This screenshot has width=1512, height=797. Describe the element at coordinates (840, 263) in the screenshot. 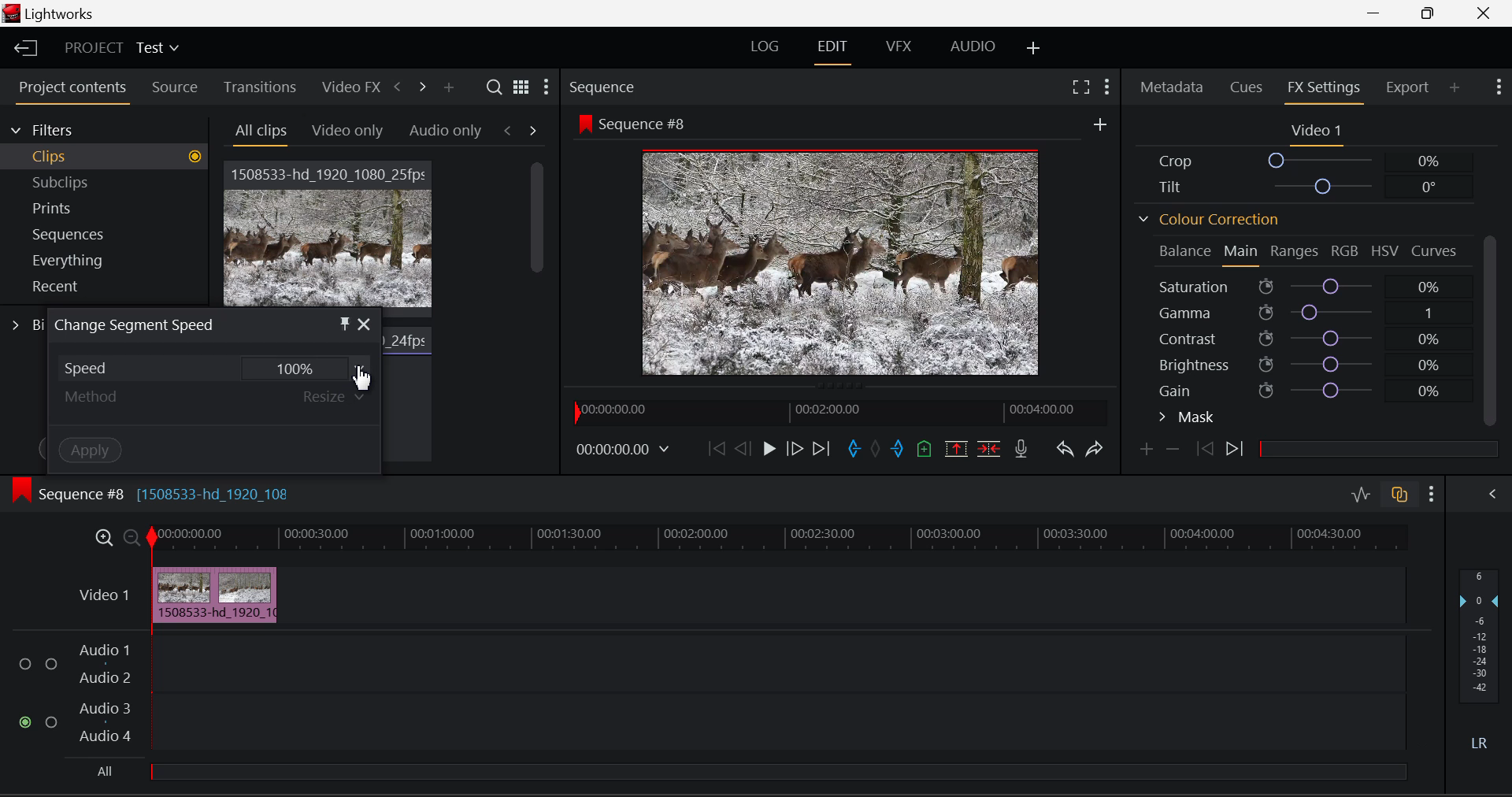

I see `Sequence #8 Video Preview` at that location.